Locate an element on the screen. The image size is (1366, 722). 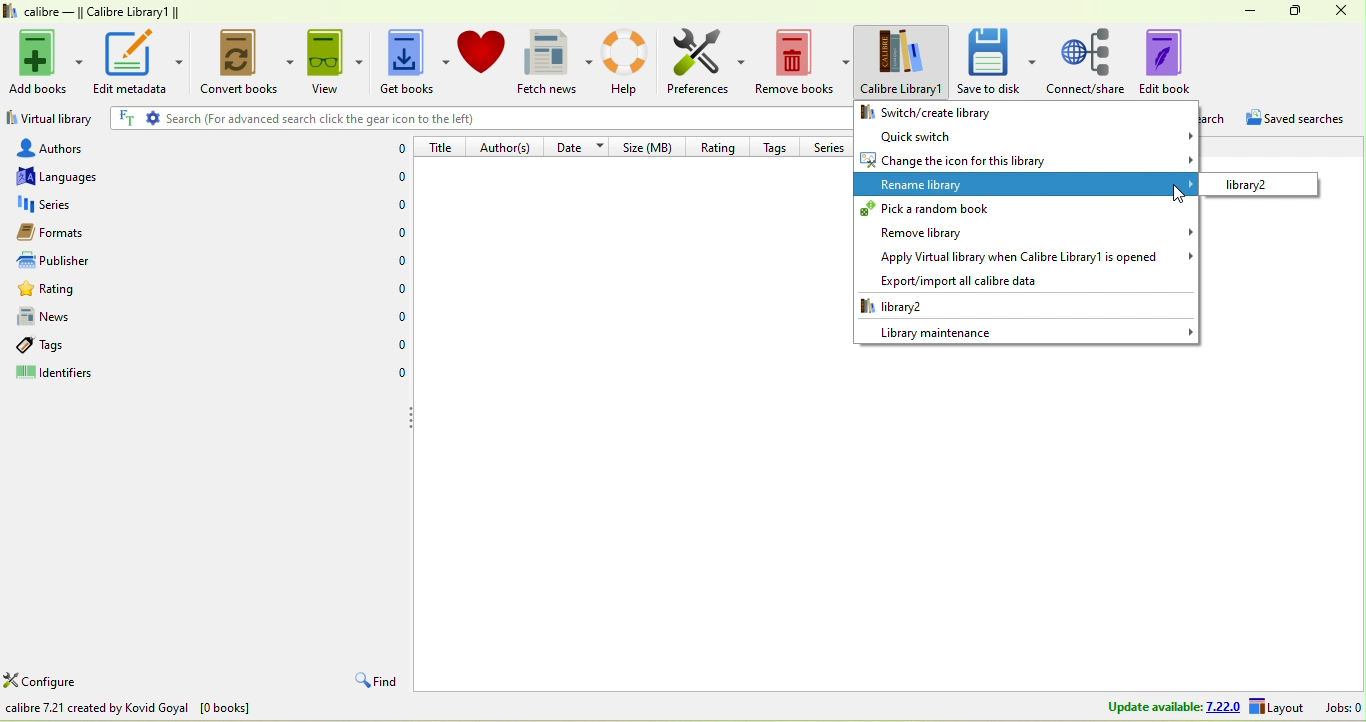
0 is located at coordinates (395, 260).